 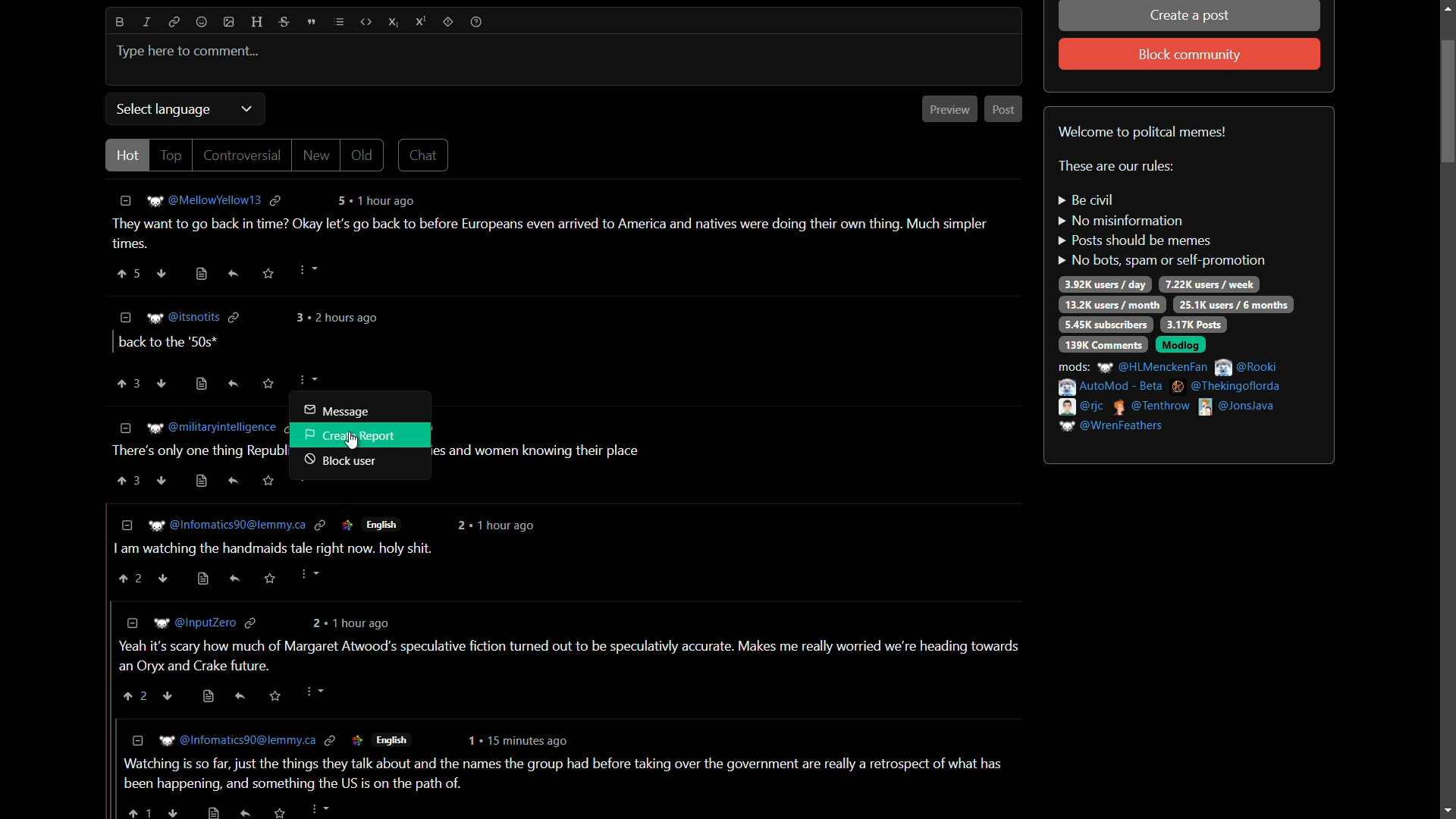 I want to click on dropdown, so click(x=246, y=109).